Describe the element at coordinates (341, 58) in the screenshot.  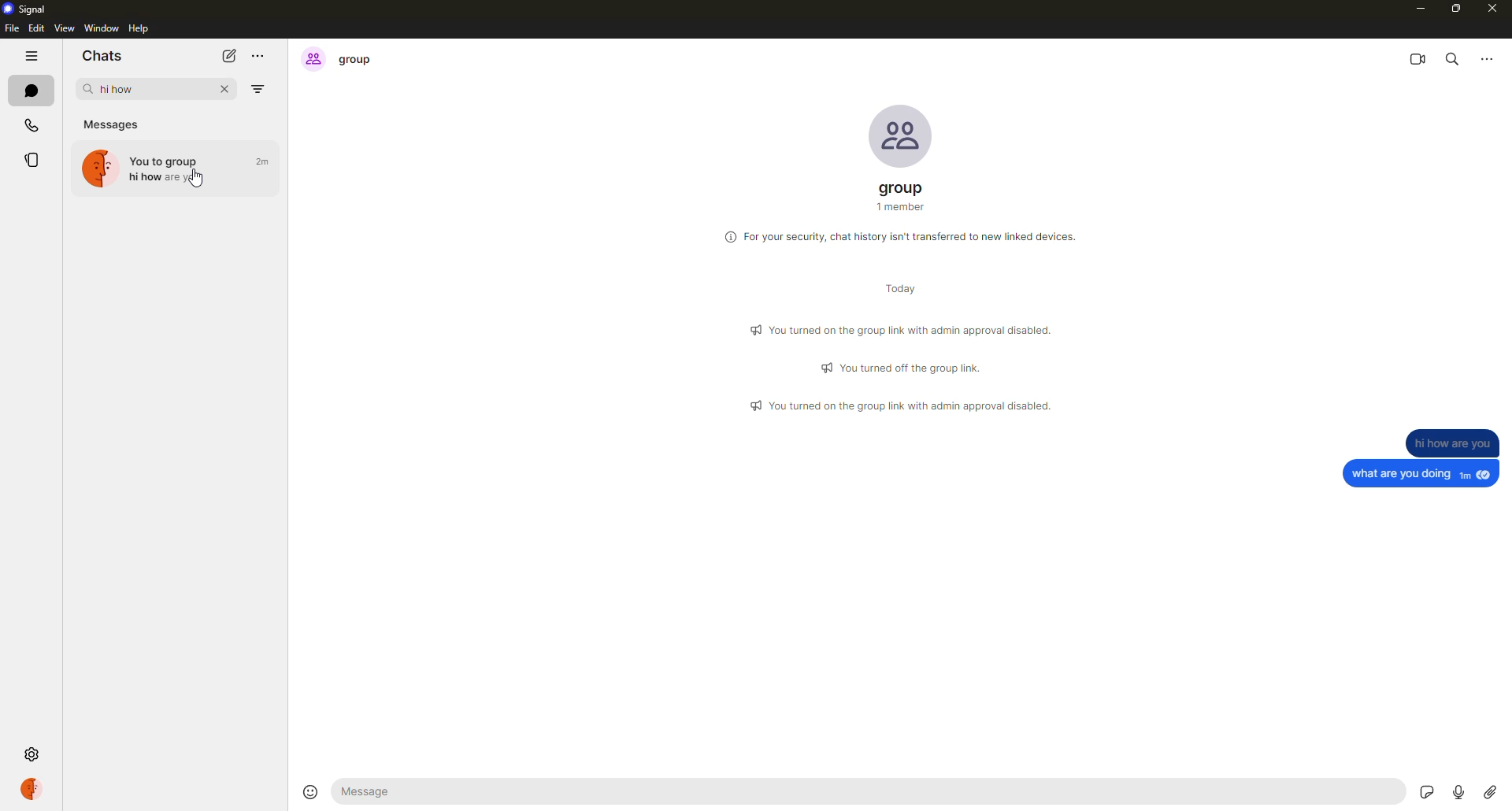
I see `group` at that location.